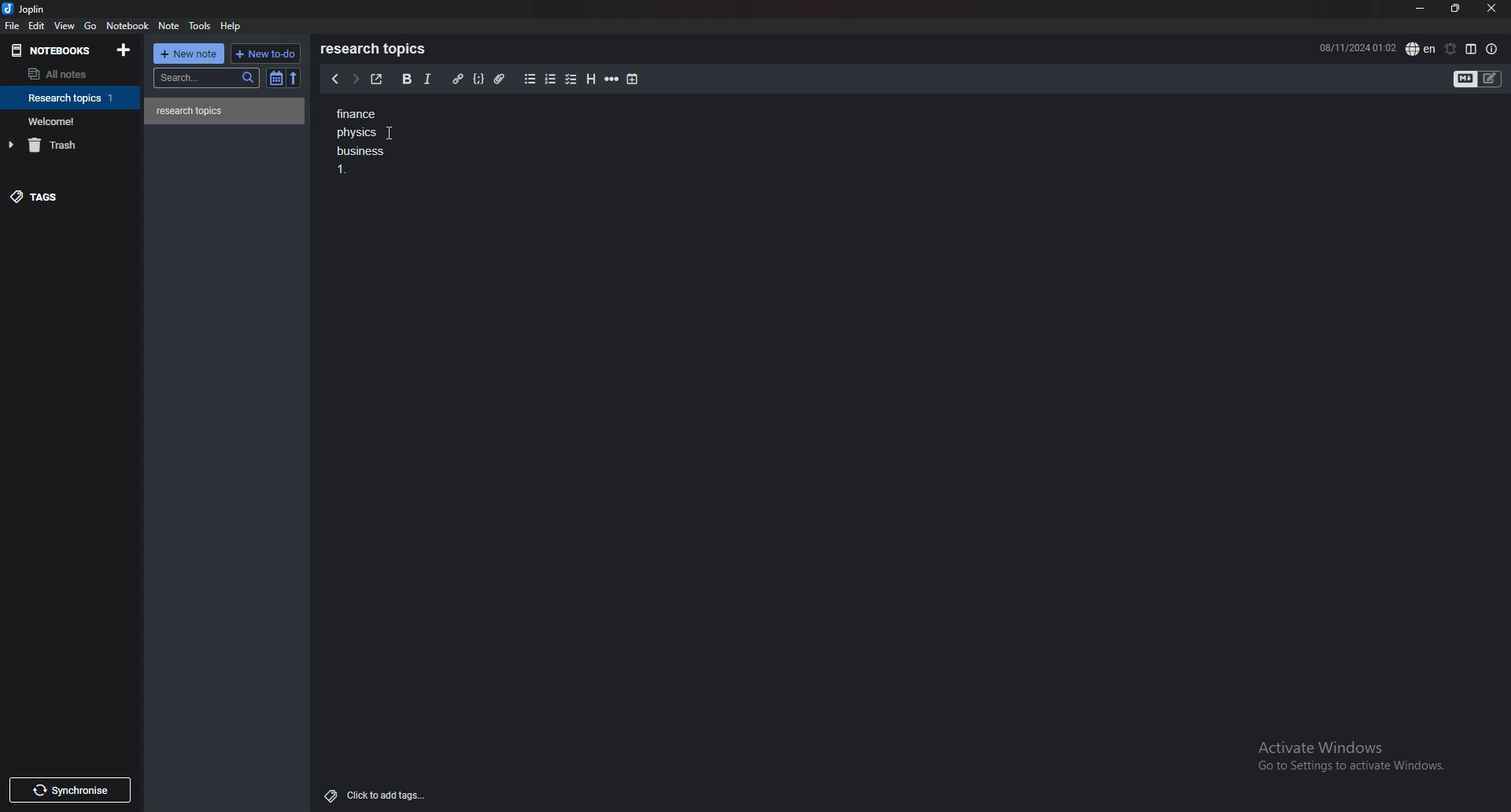 The image size is (1511, 812). I want to click on notebook, so click(72, 98).